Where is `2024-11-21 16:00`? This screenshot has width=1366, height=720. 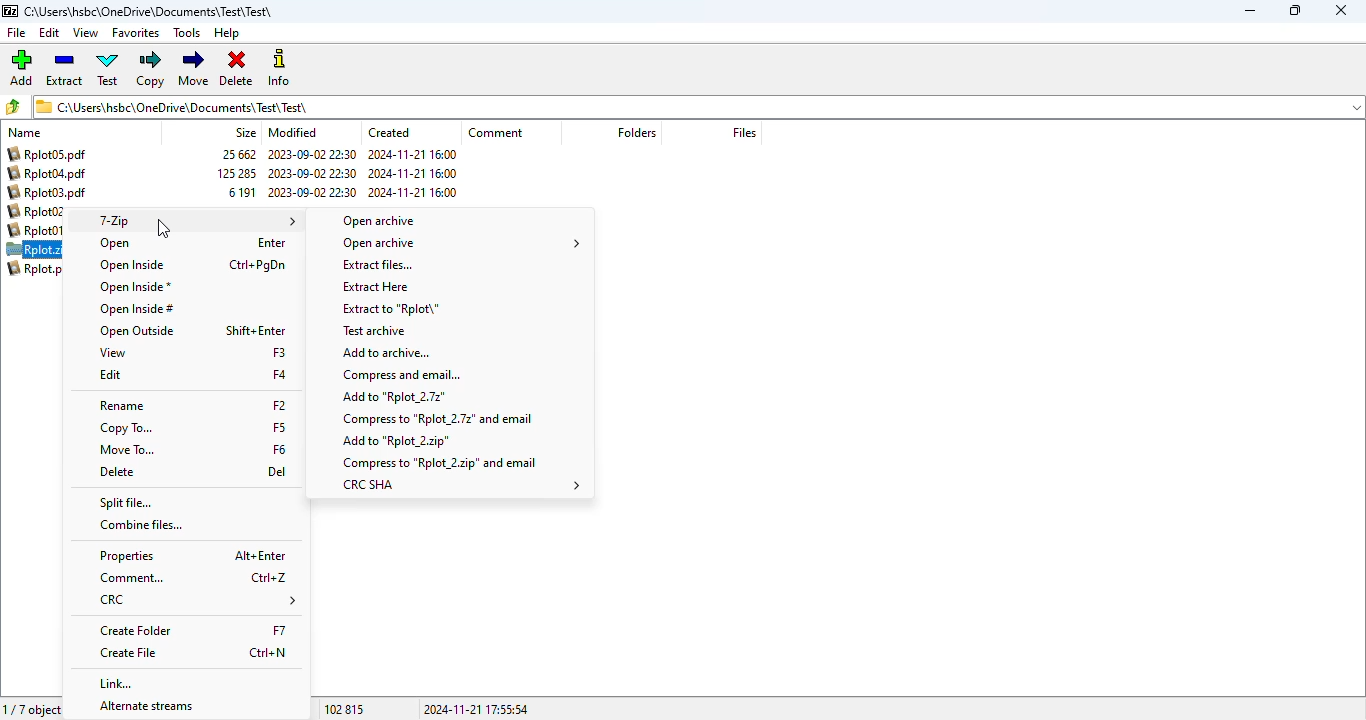
2024-11-21 16:00 is located at coordinates (413, 154).